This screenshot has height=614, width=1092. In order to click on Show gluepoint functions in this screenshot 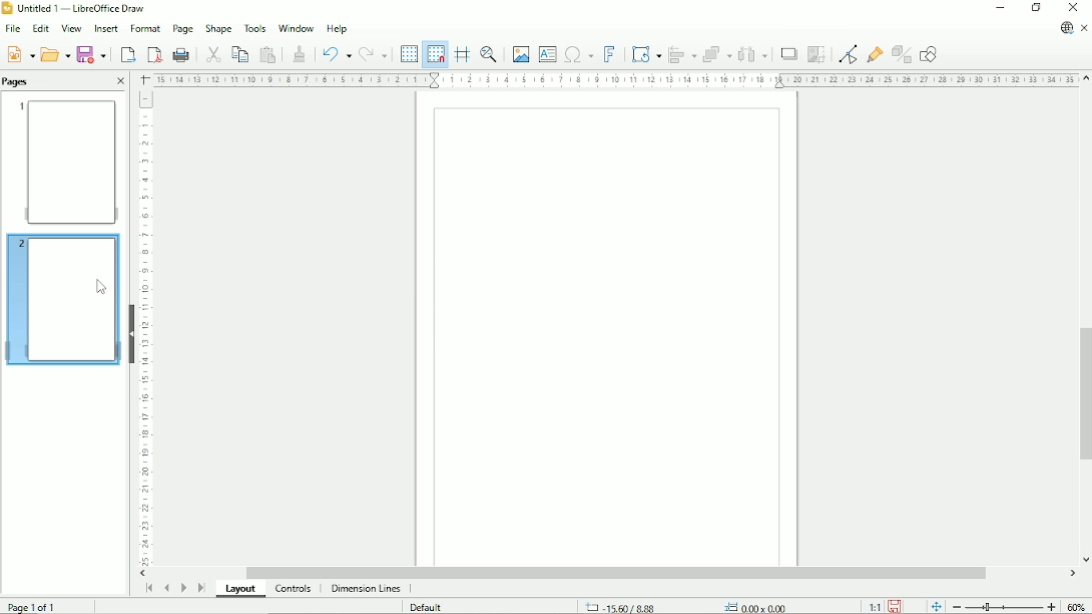, I will do `click(875, 54)`.